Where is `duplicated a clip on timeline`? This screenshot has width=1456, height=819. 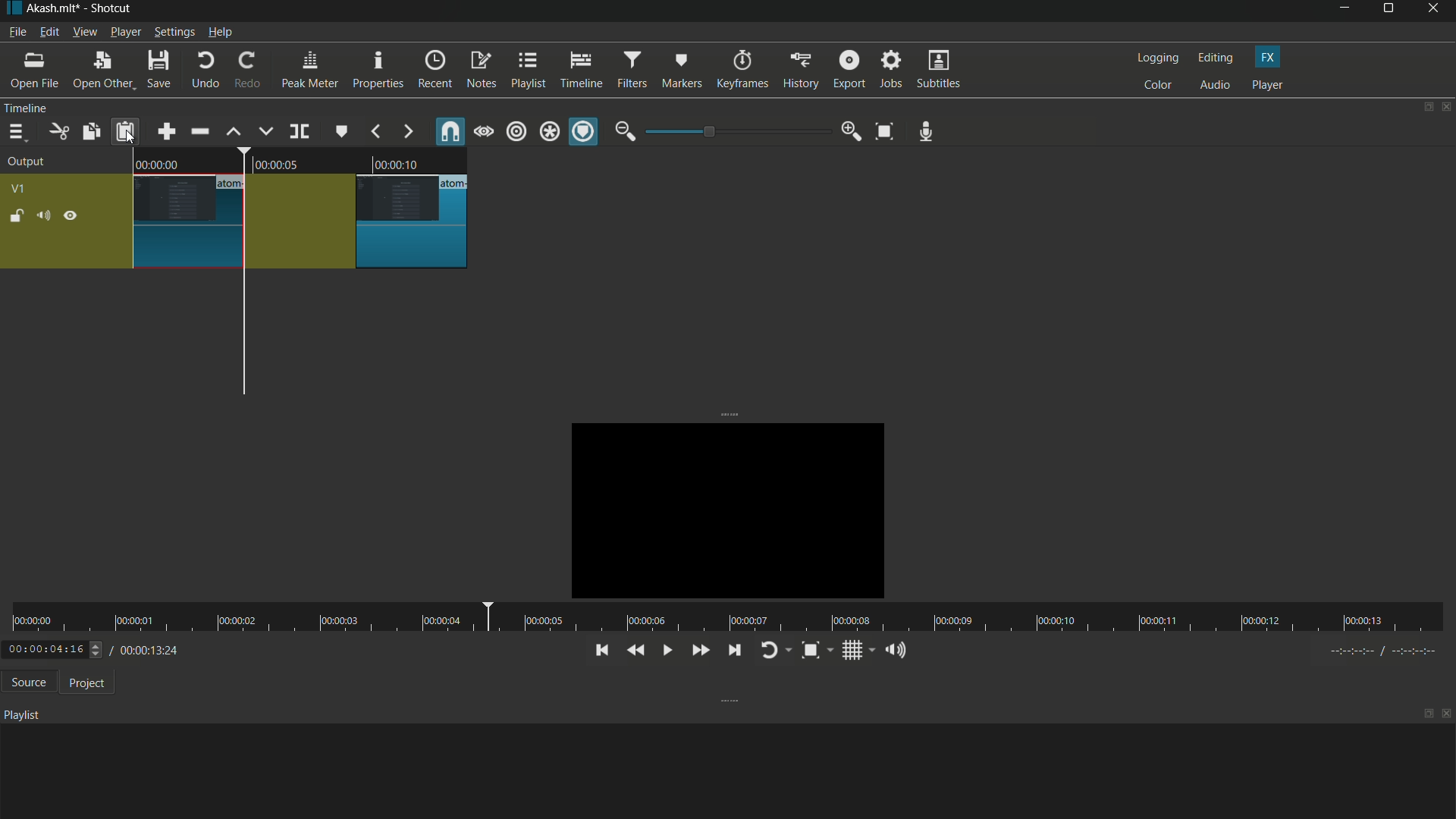 duplicated a clip on timeline is located at coordinates (356, 221).